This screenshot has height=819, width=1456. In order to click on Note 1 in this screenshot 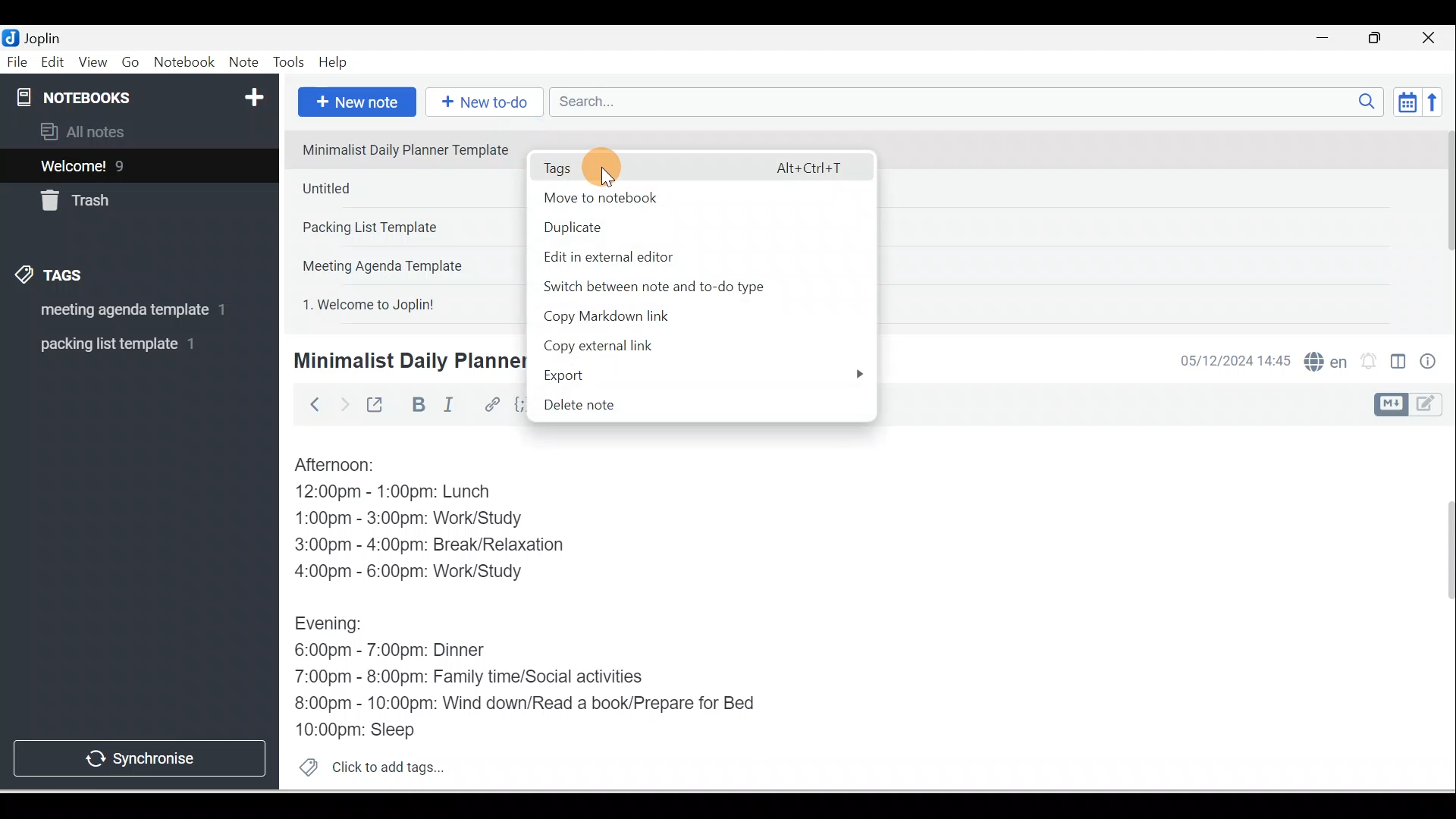, I will do `click(402, 149)`.